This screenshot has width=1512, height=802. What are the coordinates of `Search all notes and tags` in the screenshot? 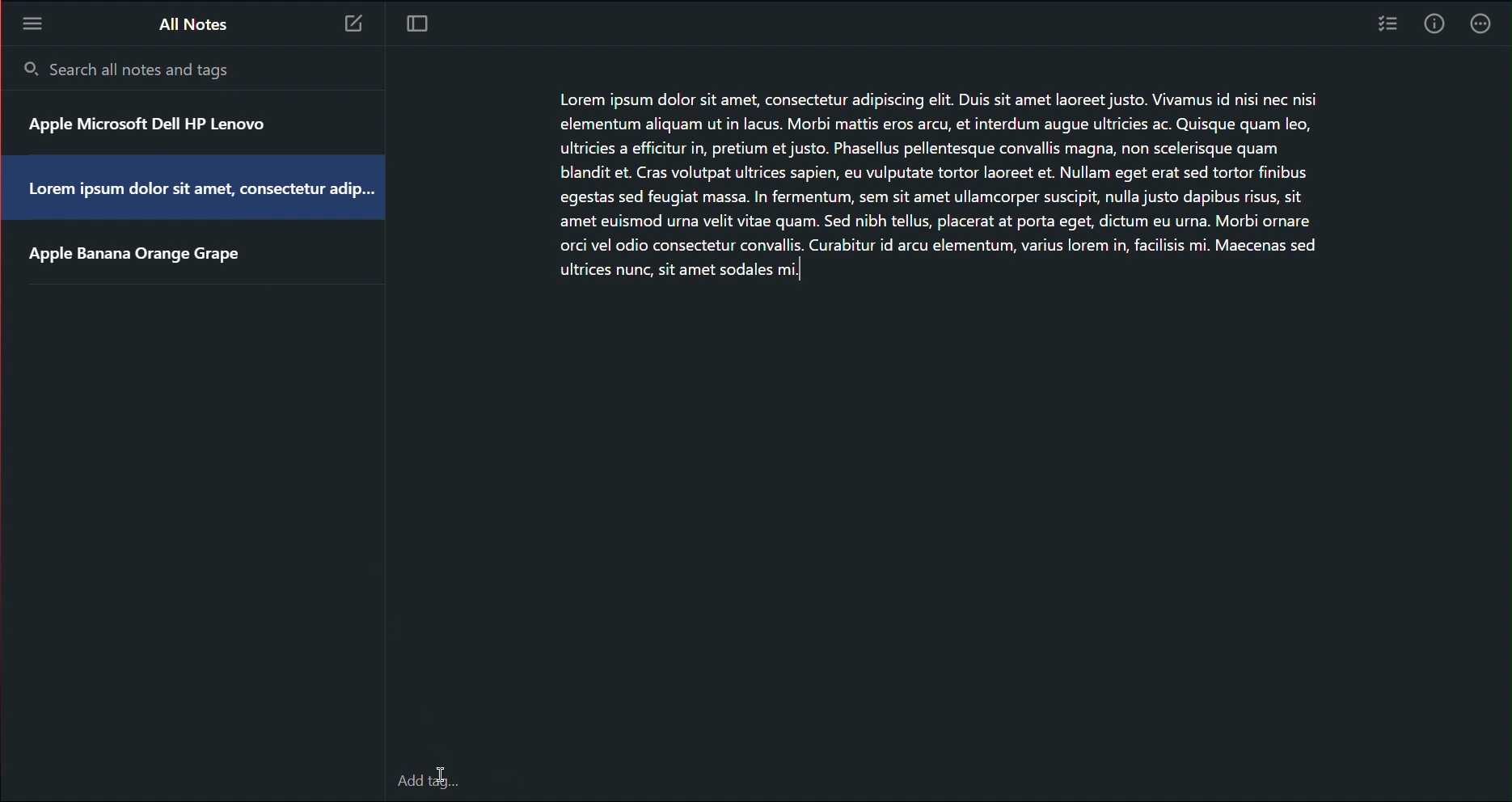 It's located at (130, 70).